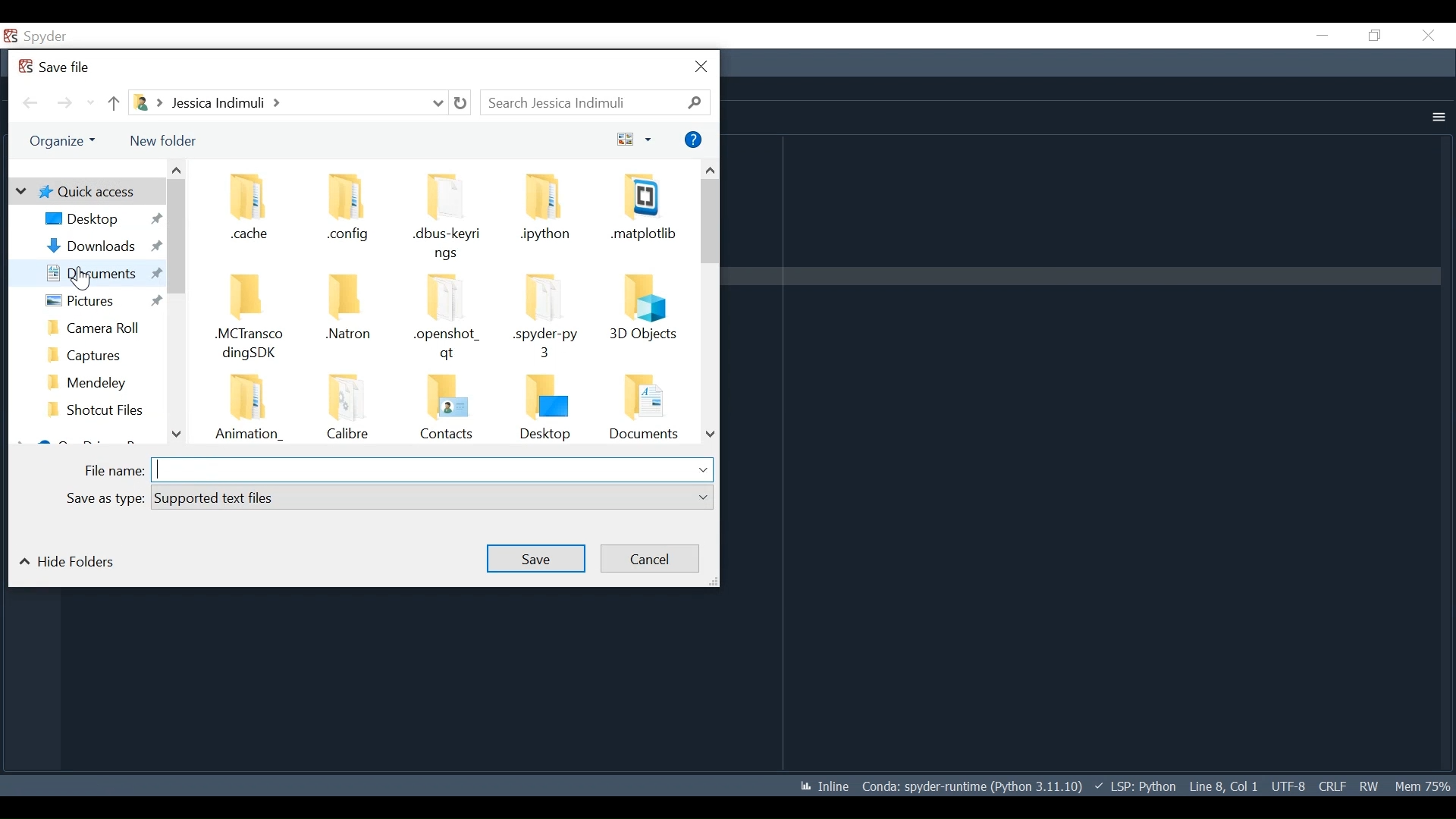 This screenshot has width=1456, height=819. I want to click on Folder, so click(547, 319).